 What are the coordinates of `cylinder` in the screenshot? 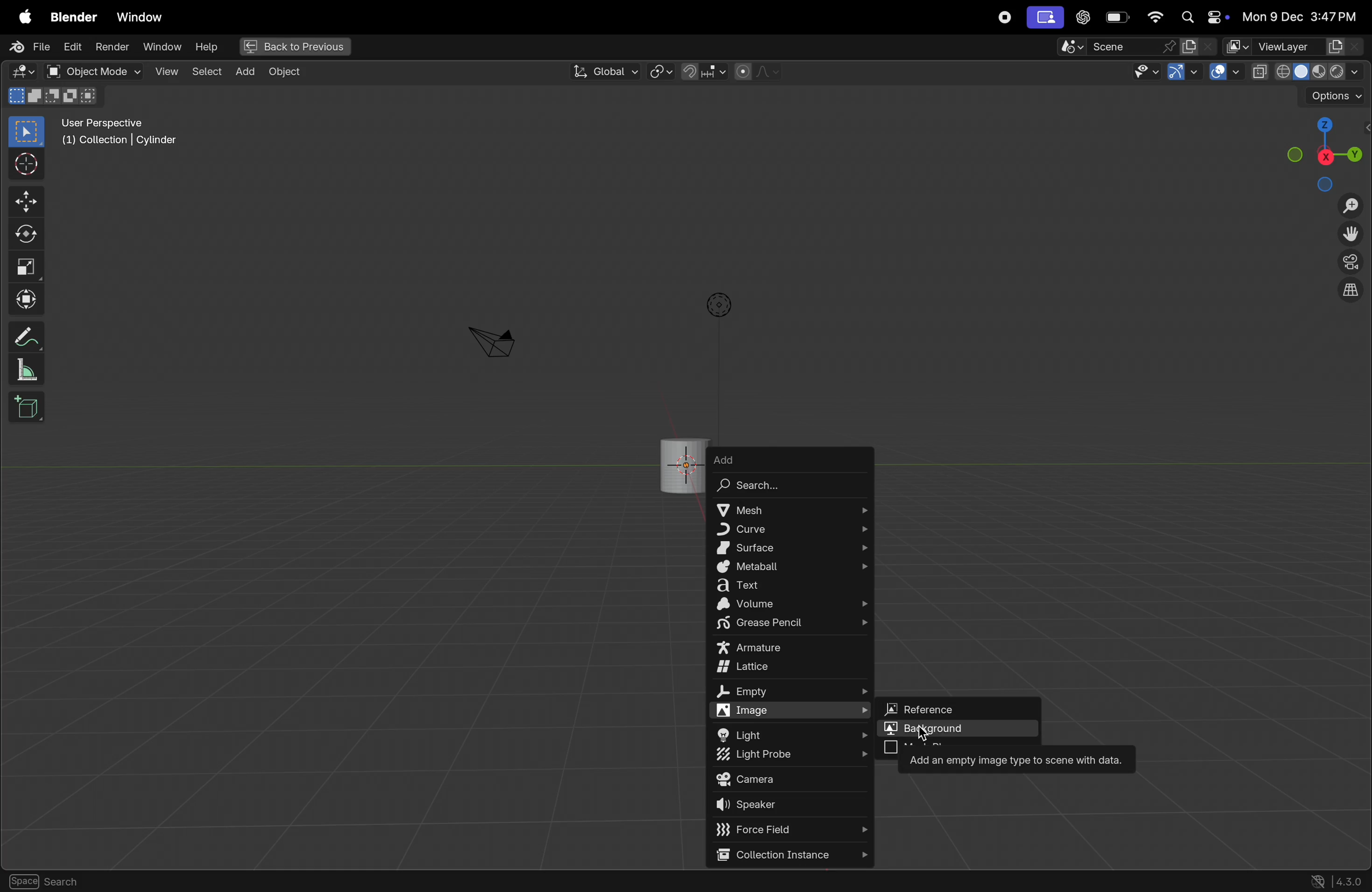 It's located at (681, 462).